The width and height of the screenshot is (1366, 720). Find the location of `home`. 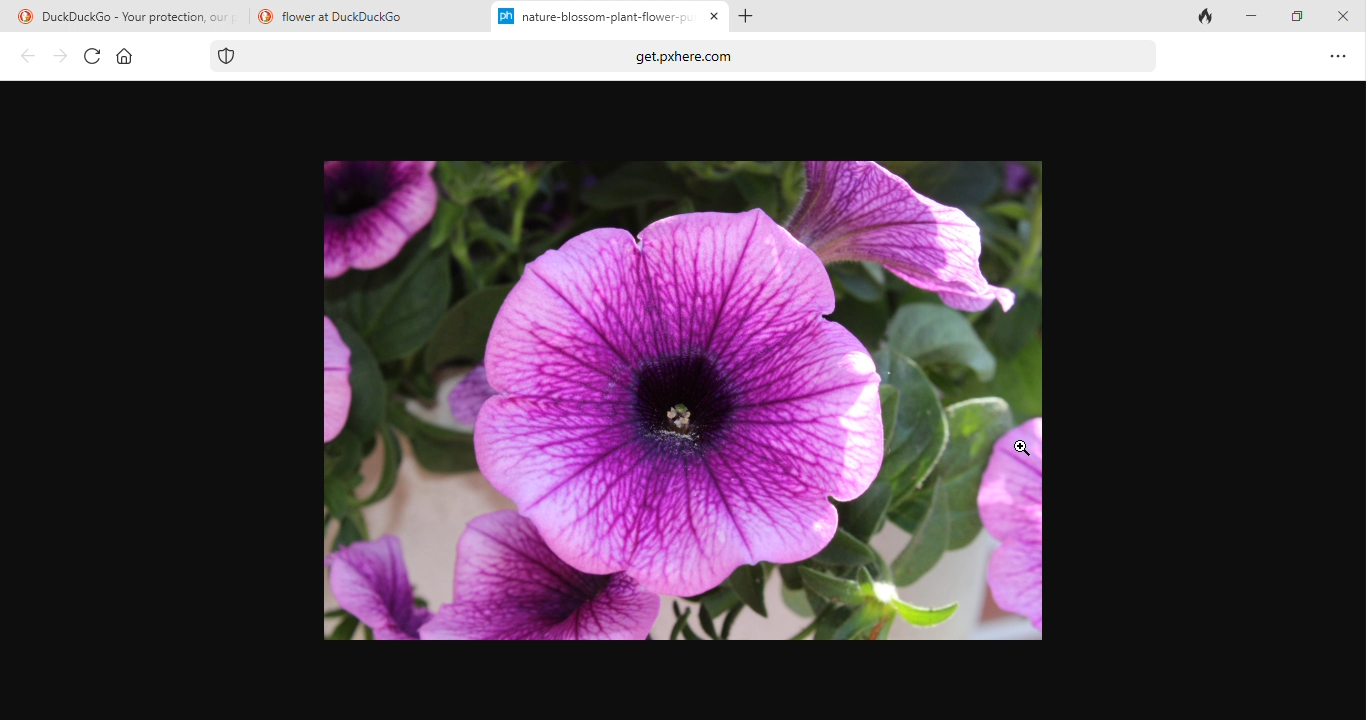

home is located at coordinates (125, 57).